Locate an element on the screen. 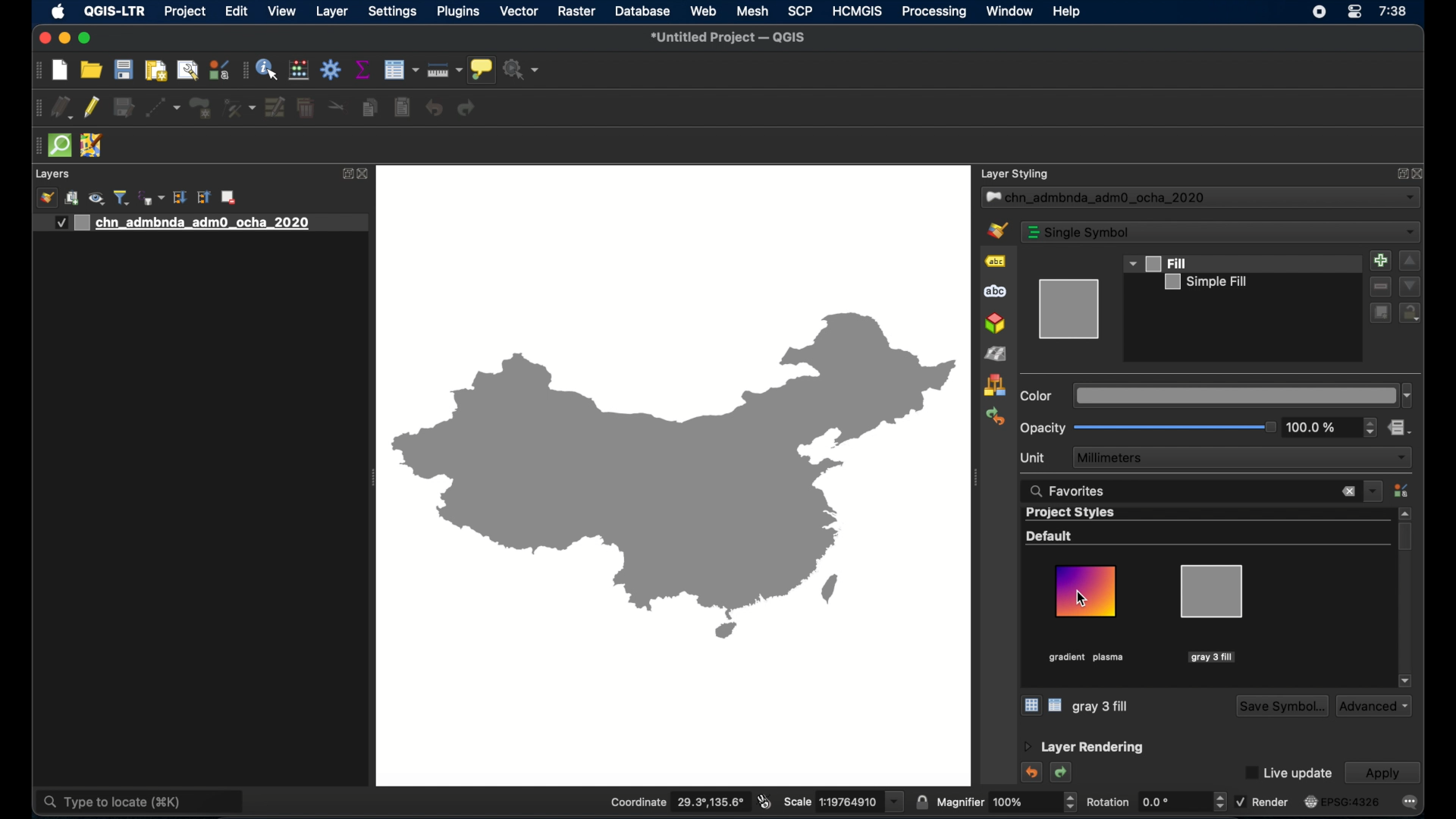 The image size is (1456, 819). gradient plasma is located at coordinates (1087, 614).